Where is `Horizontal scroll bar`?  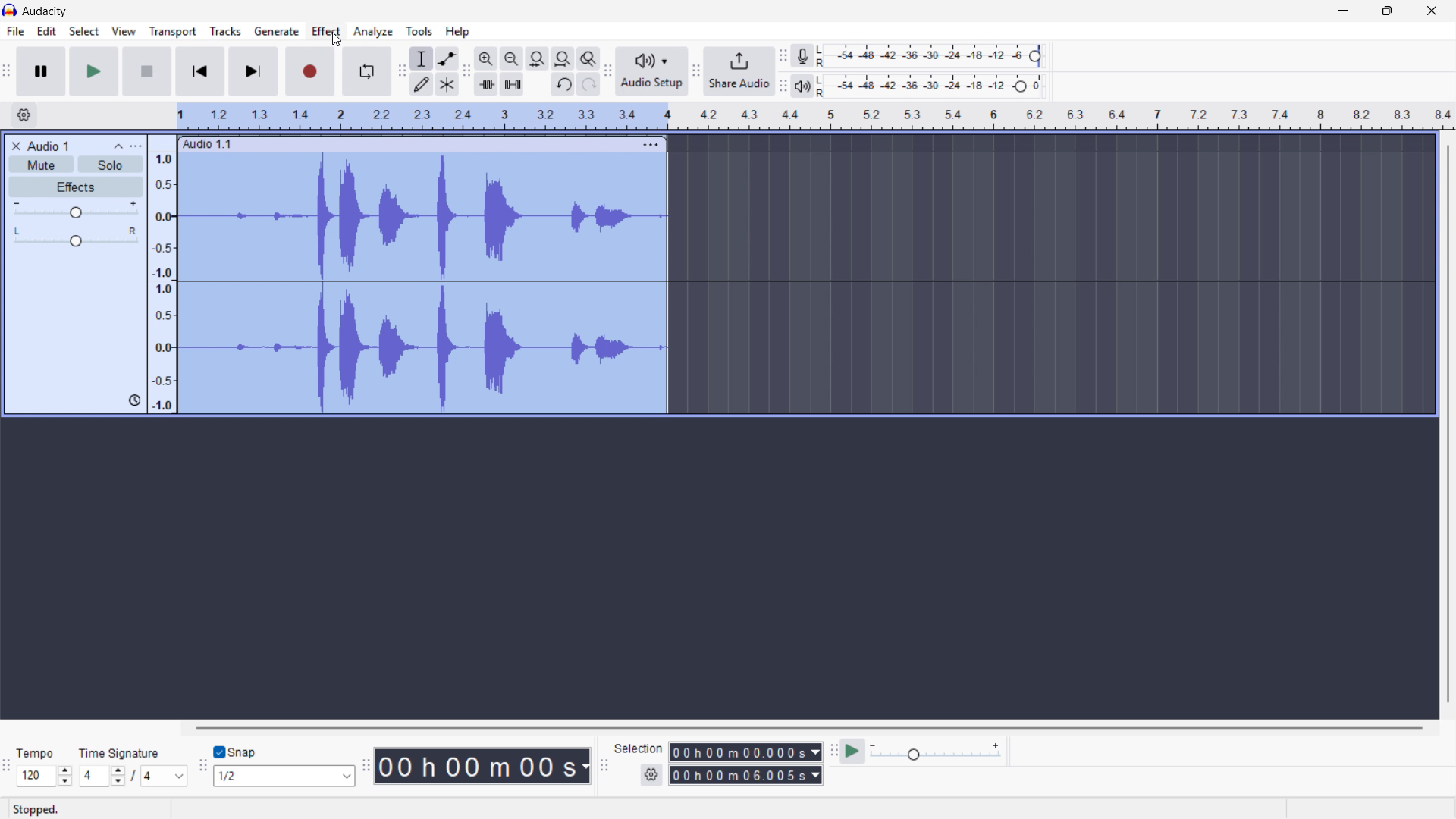 Horizontal scroll bar is located at coordinates (807, 728).